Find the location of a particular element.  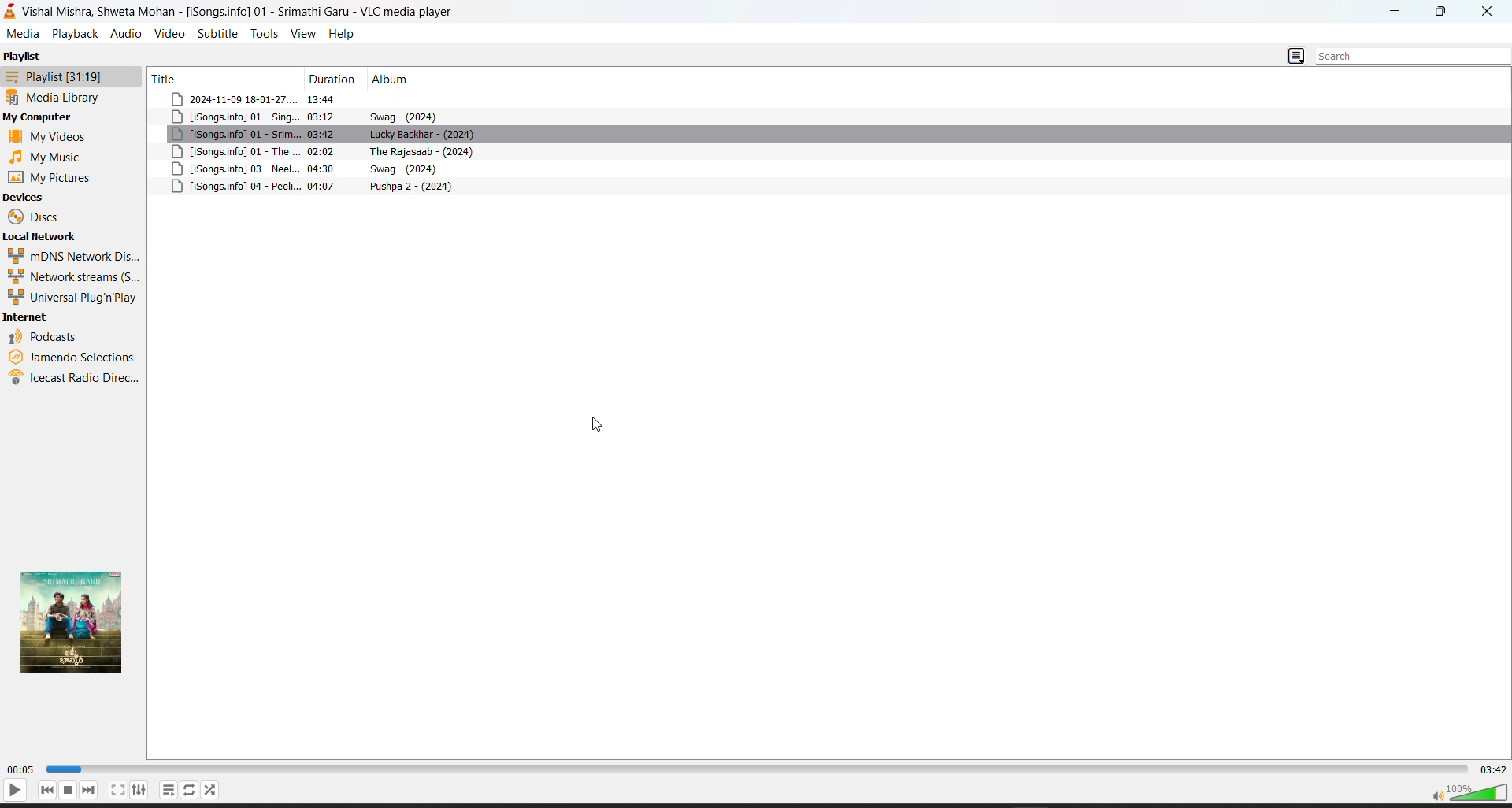

videos is located at coordinates (48, 137).